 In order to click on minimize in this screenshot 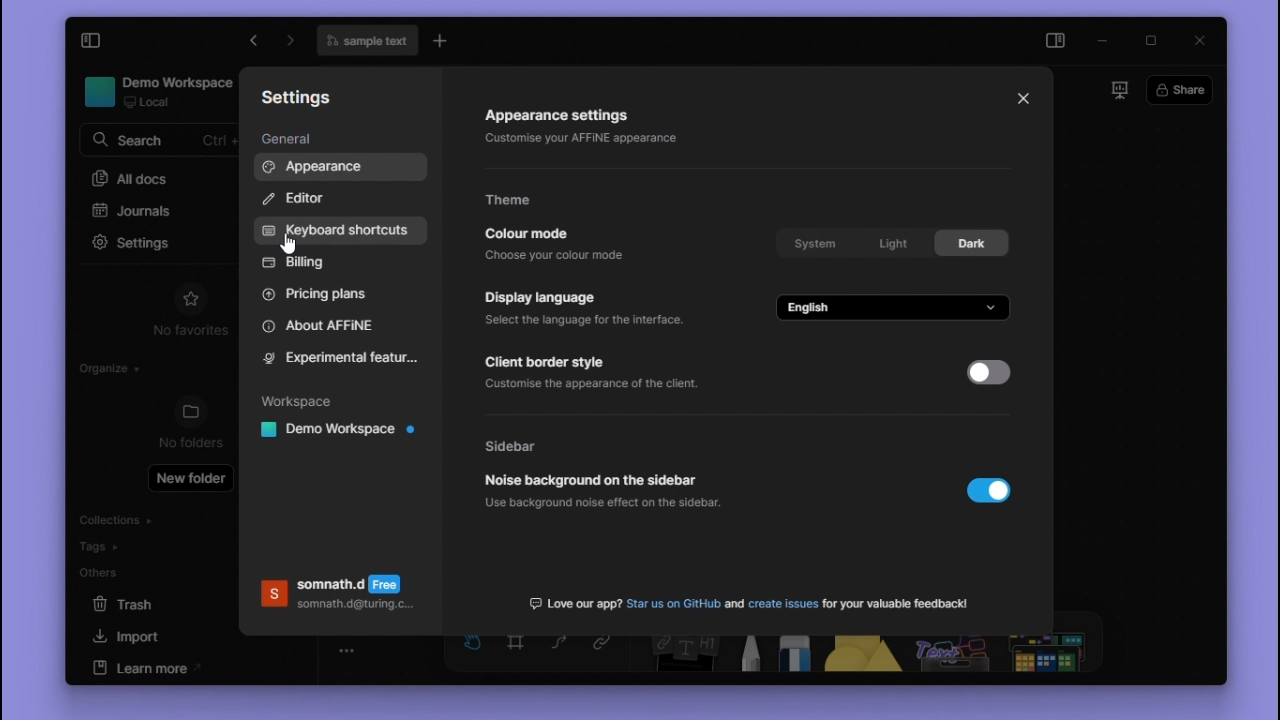, I will do `click(1106, 37)`.